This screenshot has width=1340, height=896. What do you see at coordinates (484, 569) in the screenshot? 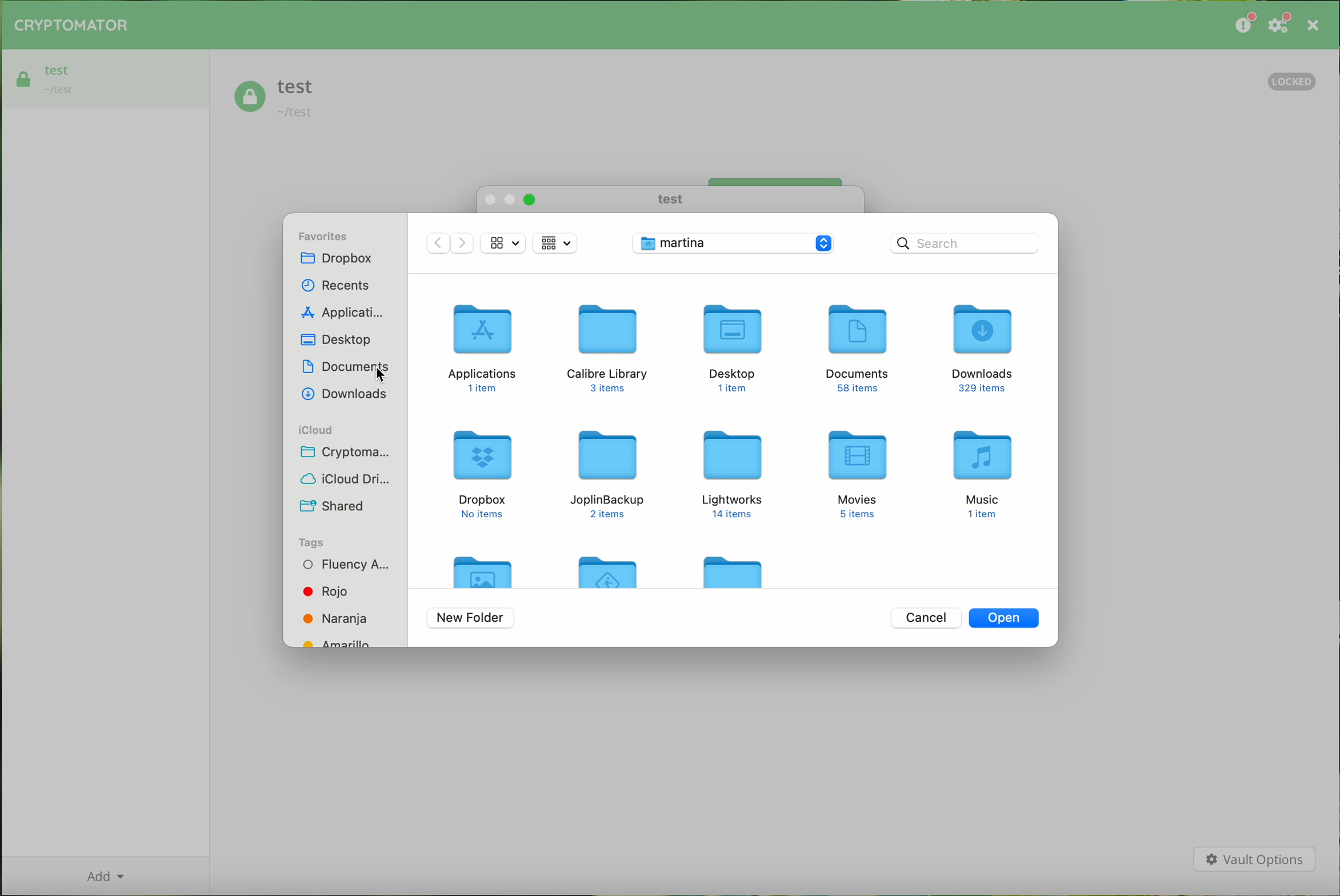
I see `folder` at bounding box center [484, 569].